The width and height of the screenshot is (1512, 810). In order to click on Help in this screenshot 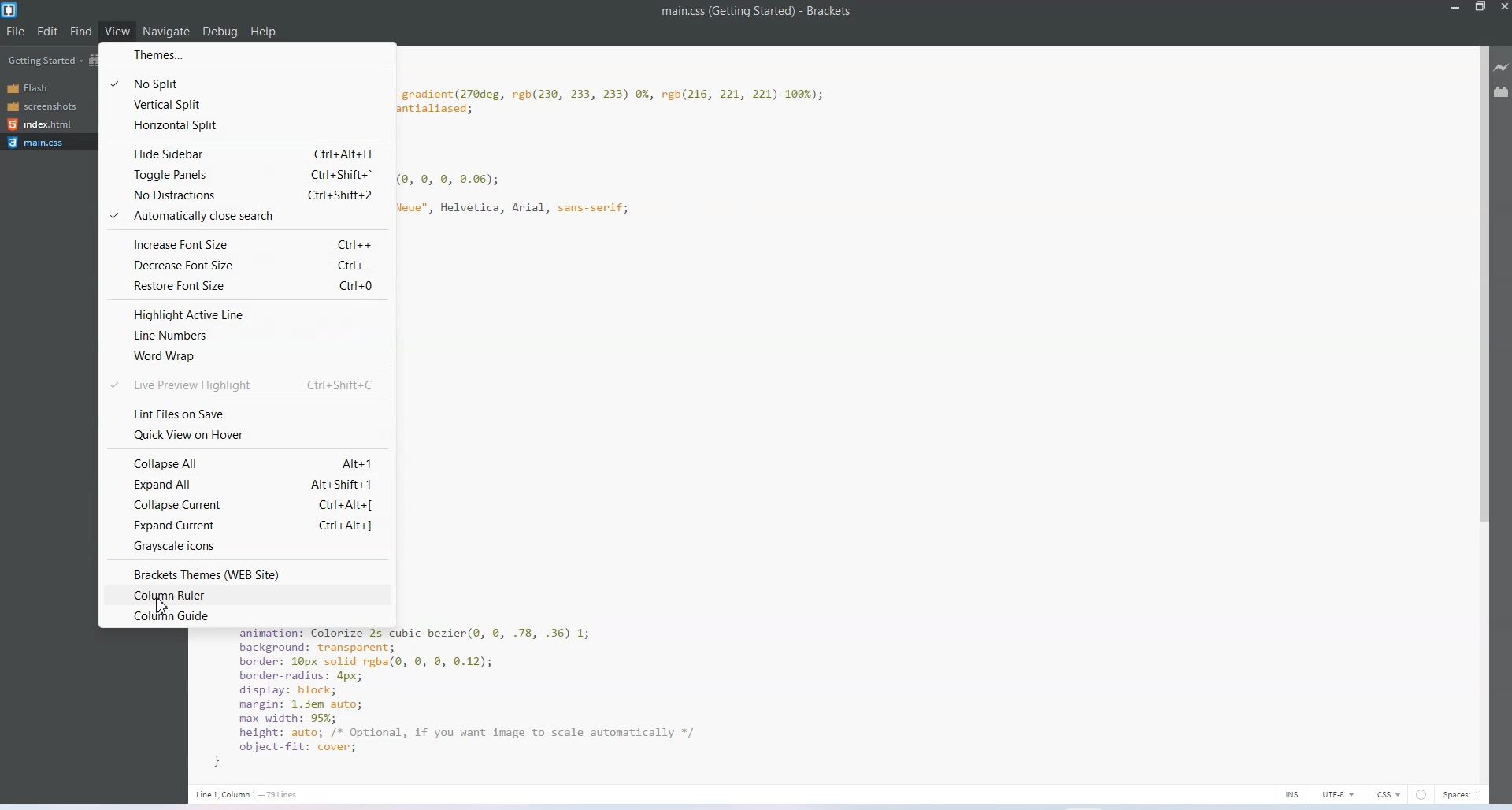, I will do `click(264, 32)`.